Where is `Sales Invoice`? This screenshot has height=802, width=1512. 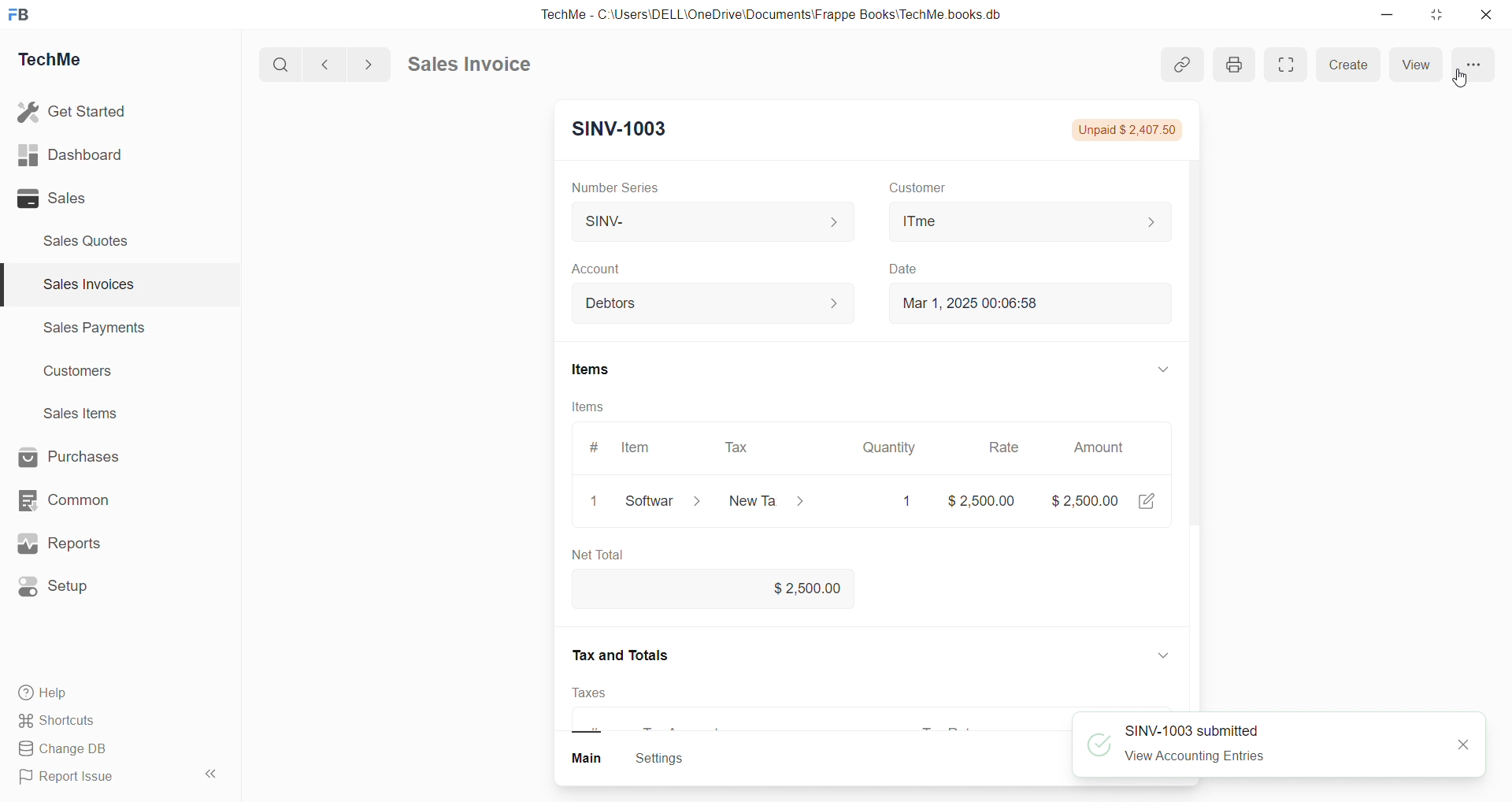 Sales Invoice is located at coordinates (476, 66).